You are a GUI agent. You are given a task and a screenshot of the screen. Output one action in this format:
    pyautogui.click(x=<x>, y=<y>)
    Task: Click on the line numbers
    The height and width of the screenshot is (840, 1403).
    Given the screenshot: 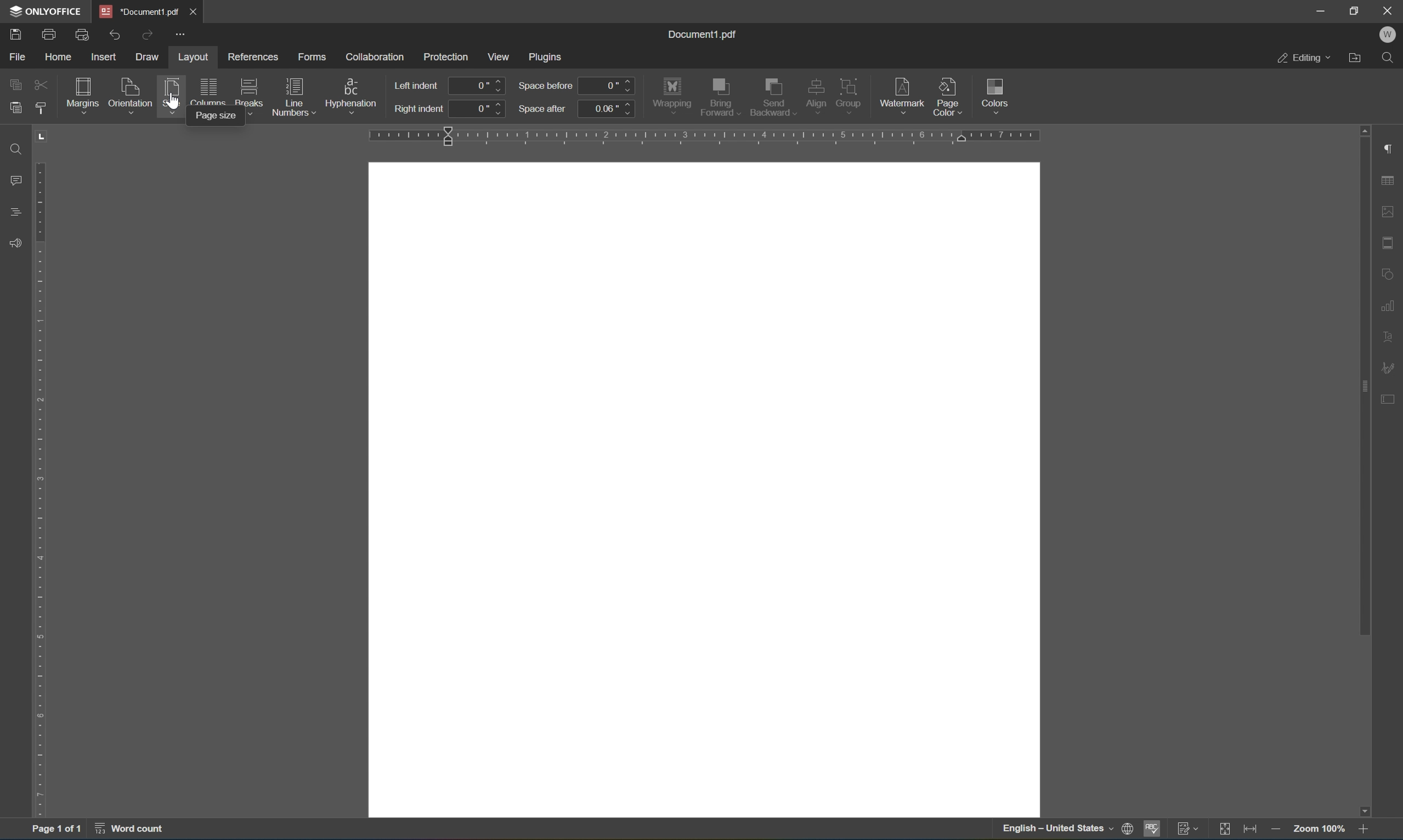 What is the action you would take?
    pyautogui.click(x=294, y=97)
    